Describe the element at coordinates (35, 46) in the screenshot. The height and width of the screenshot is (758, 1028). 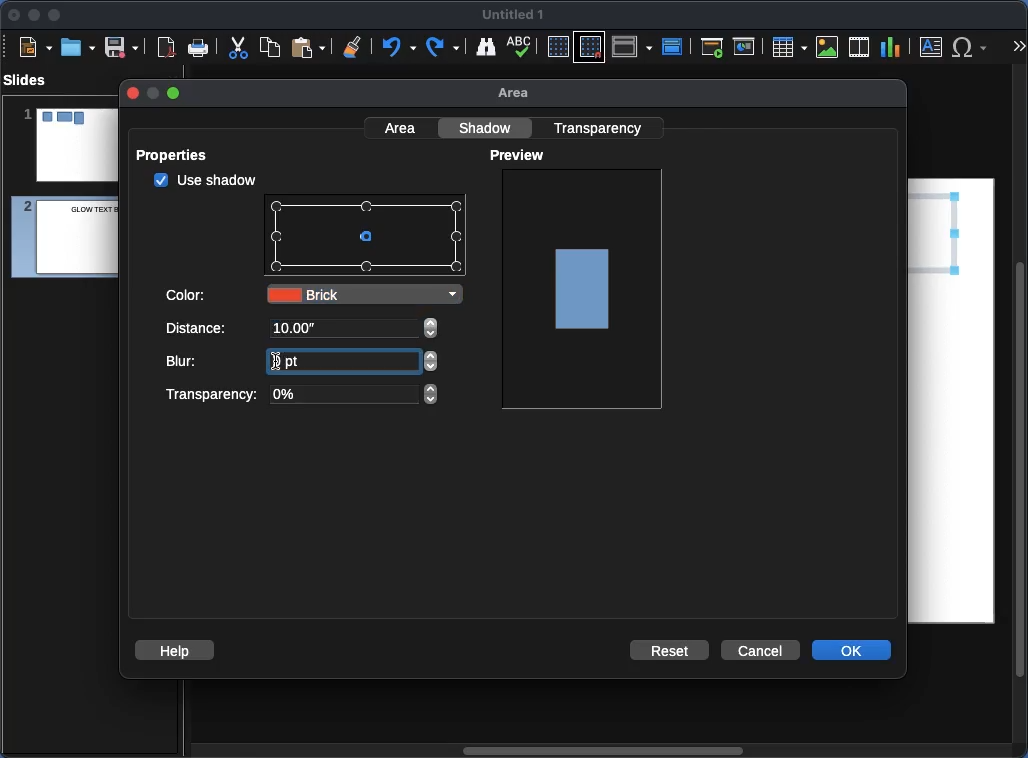
I see `New` at that location.